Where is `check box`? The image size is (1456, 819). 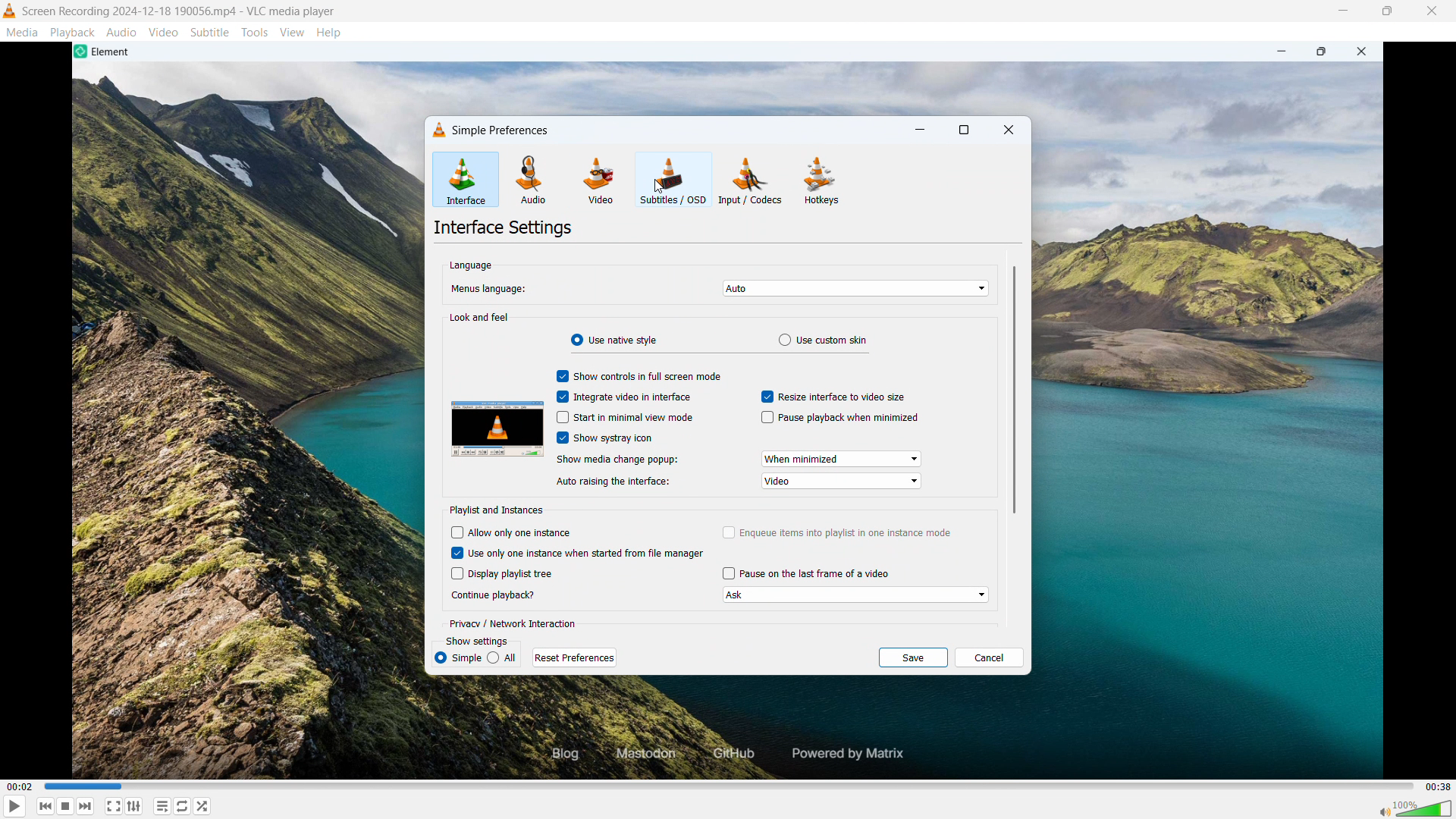 check box is located at coordinates (559, 398).